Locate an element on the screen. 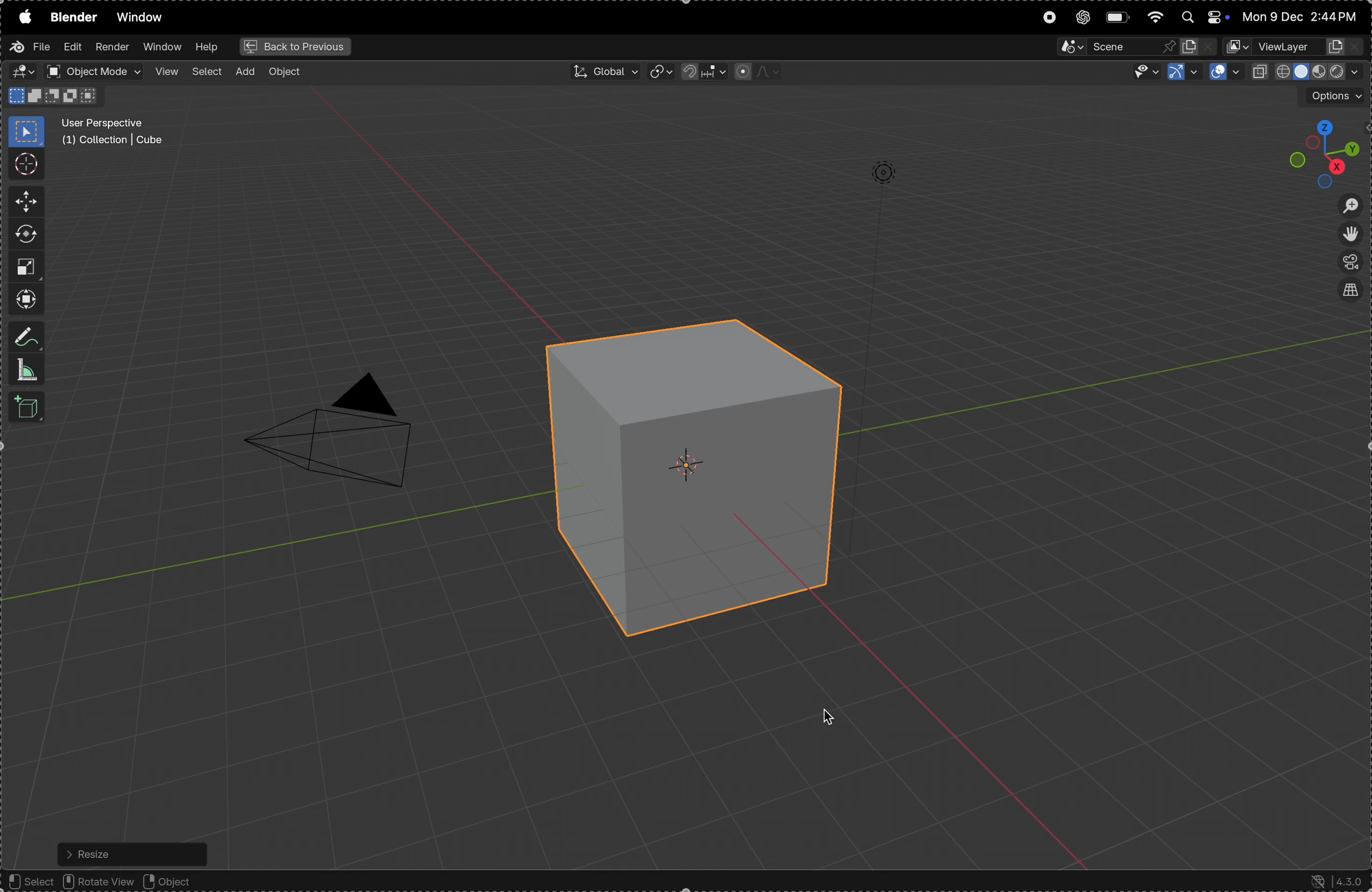 Image resolution: width=1372 pixels, height=892 pixels. options is located at coordinates (1331, 96).